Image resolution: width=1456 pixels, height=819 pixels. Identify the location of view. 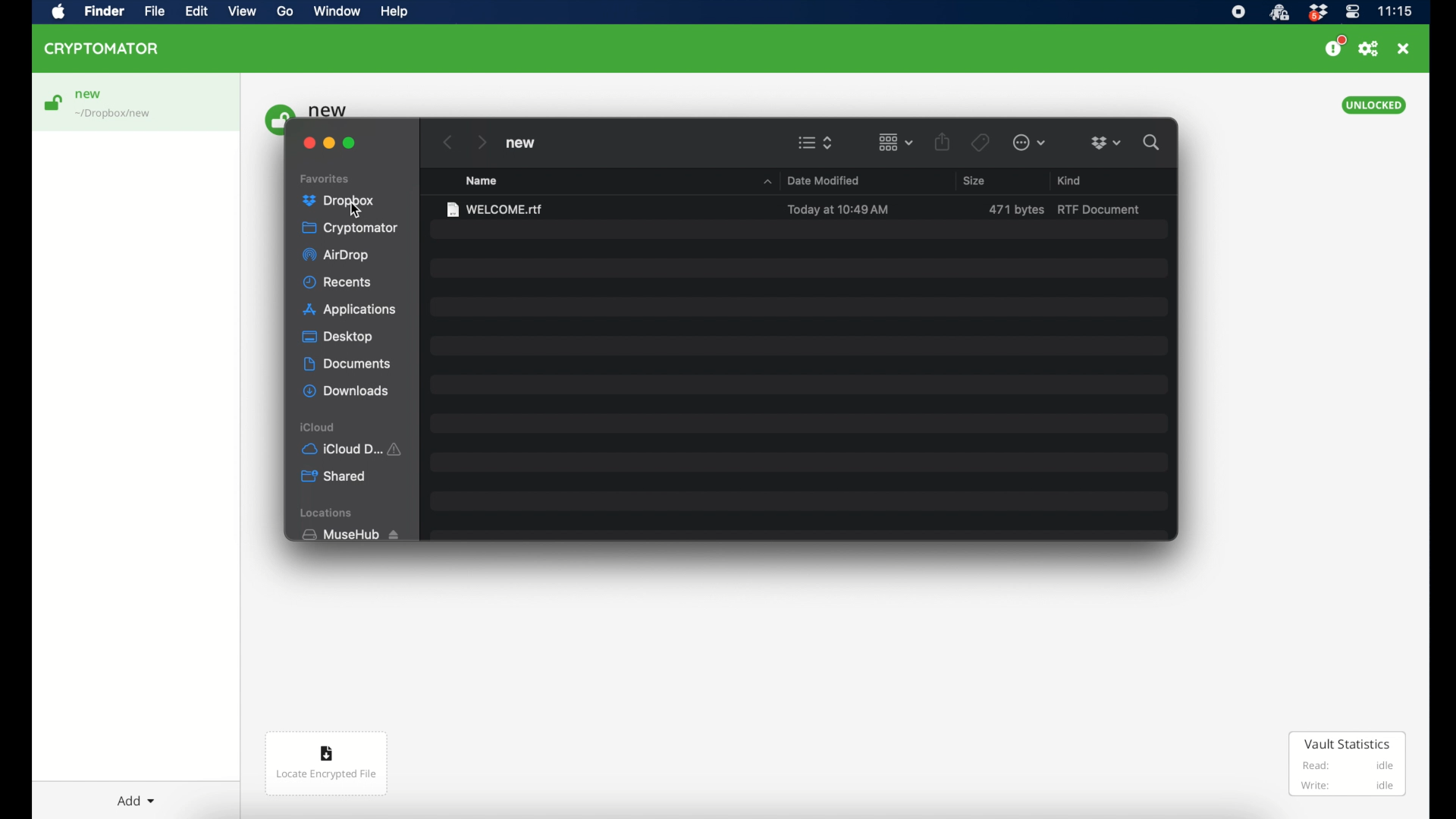
(242, 11).